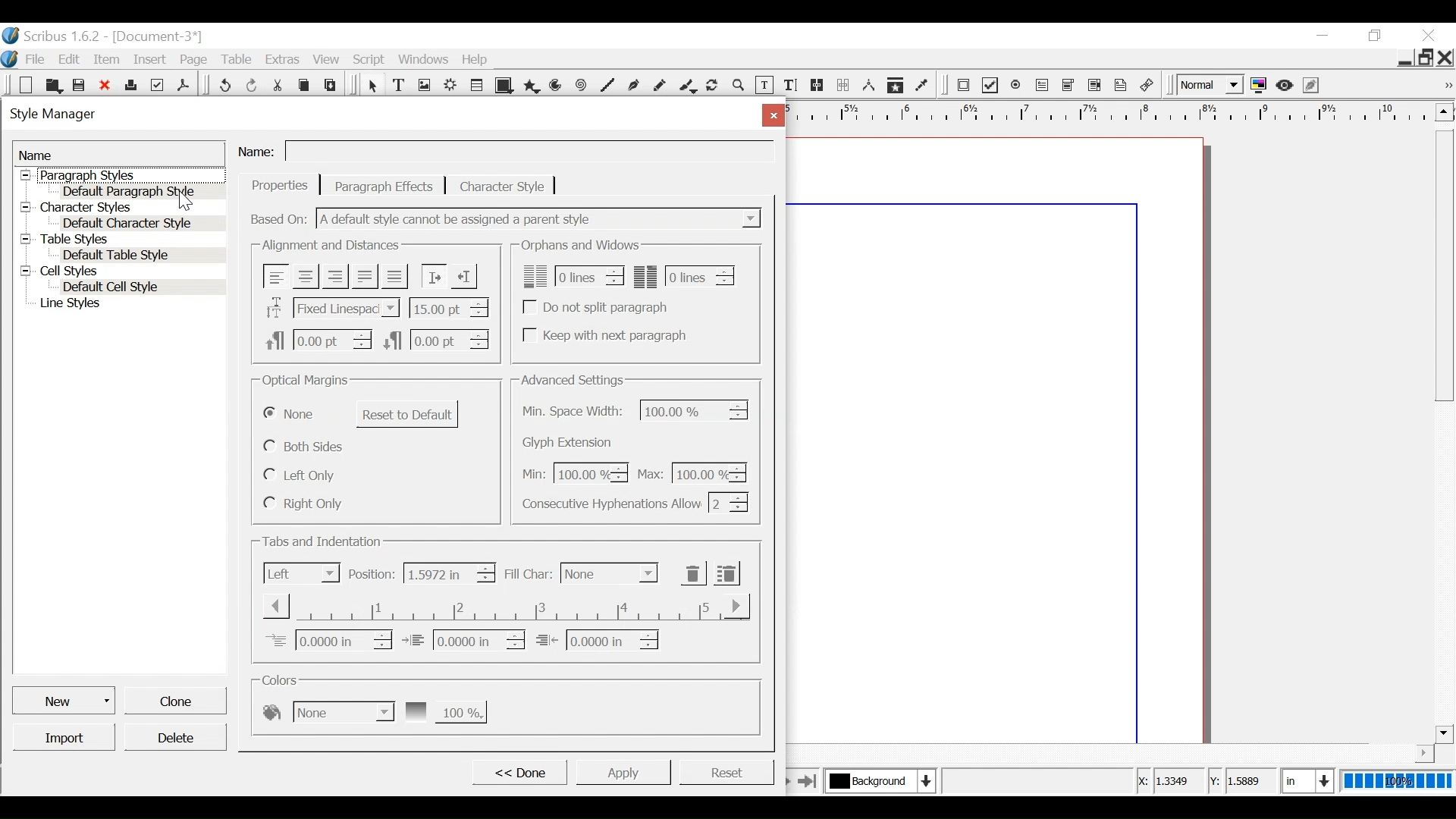 The image size is (1456, 819). Describe the element at coordinates (808, 780) in the screenshot. I see `Go to the last page` at that location.